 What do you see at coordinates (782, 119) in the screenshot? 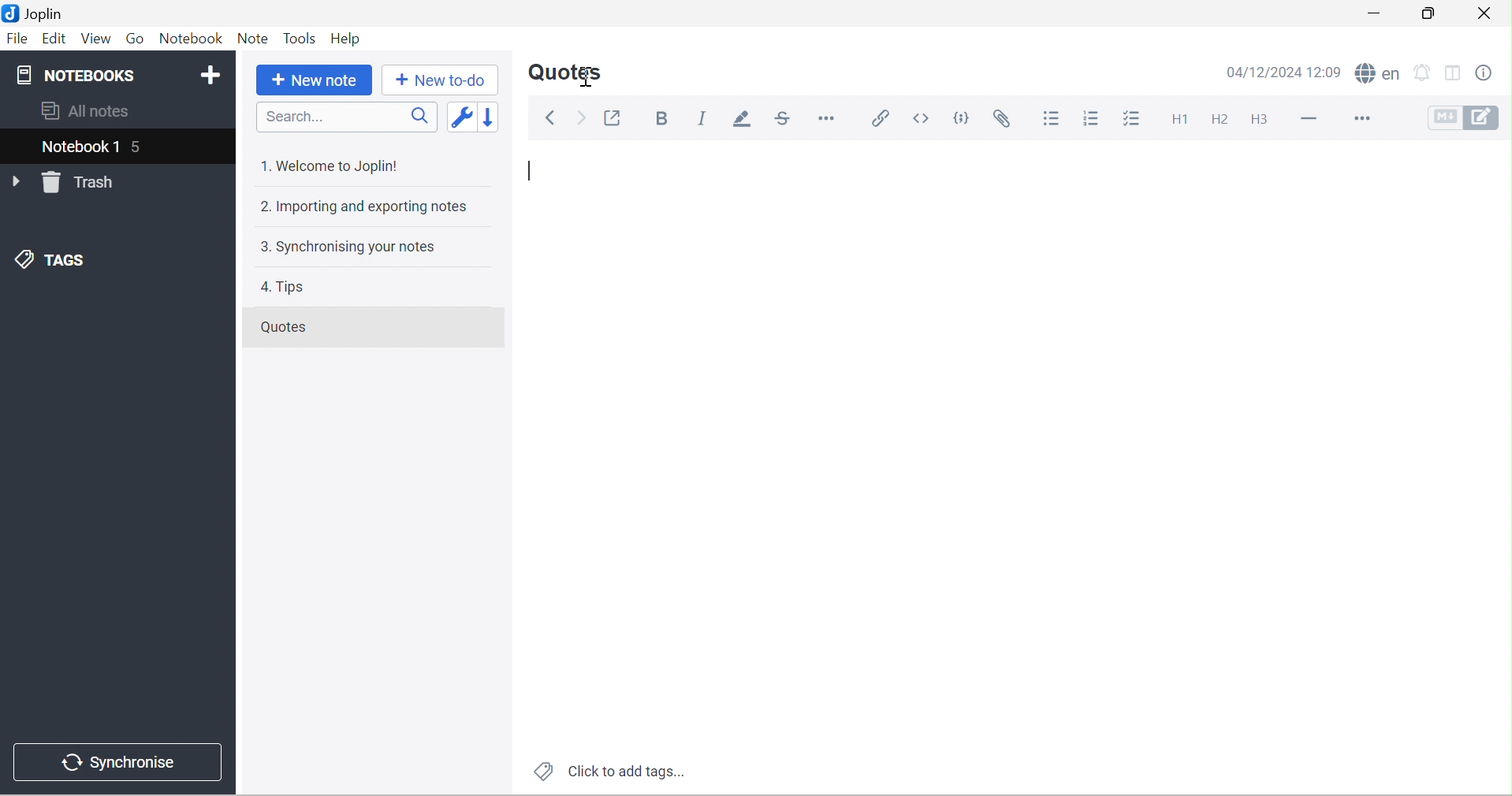
I see `Strikethrough` at bounding box center [782, 119].